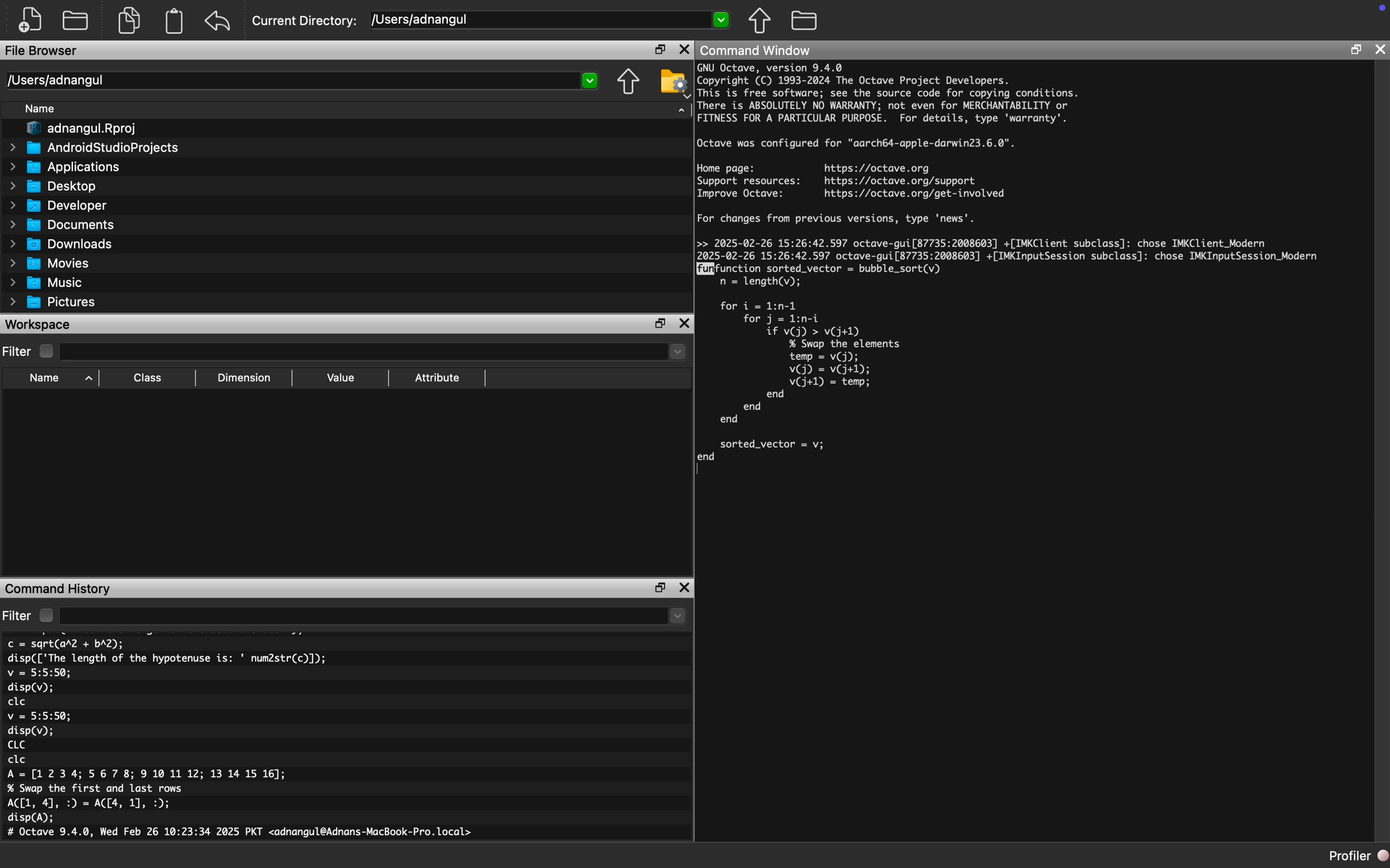 This screenshot has width=1390, height=868. I want to click on v = 5:5:50;, so click(39, 673).